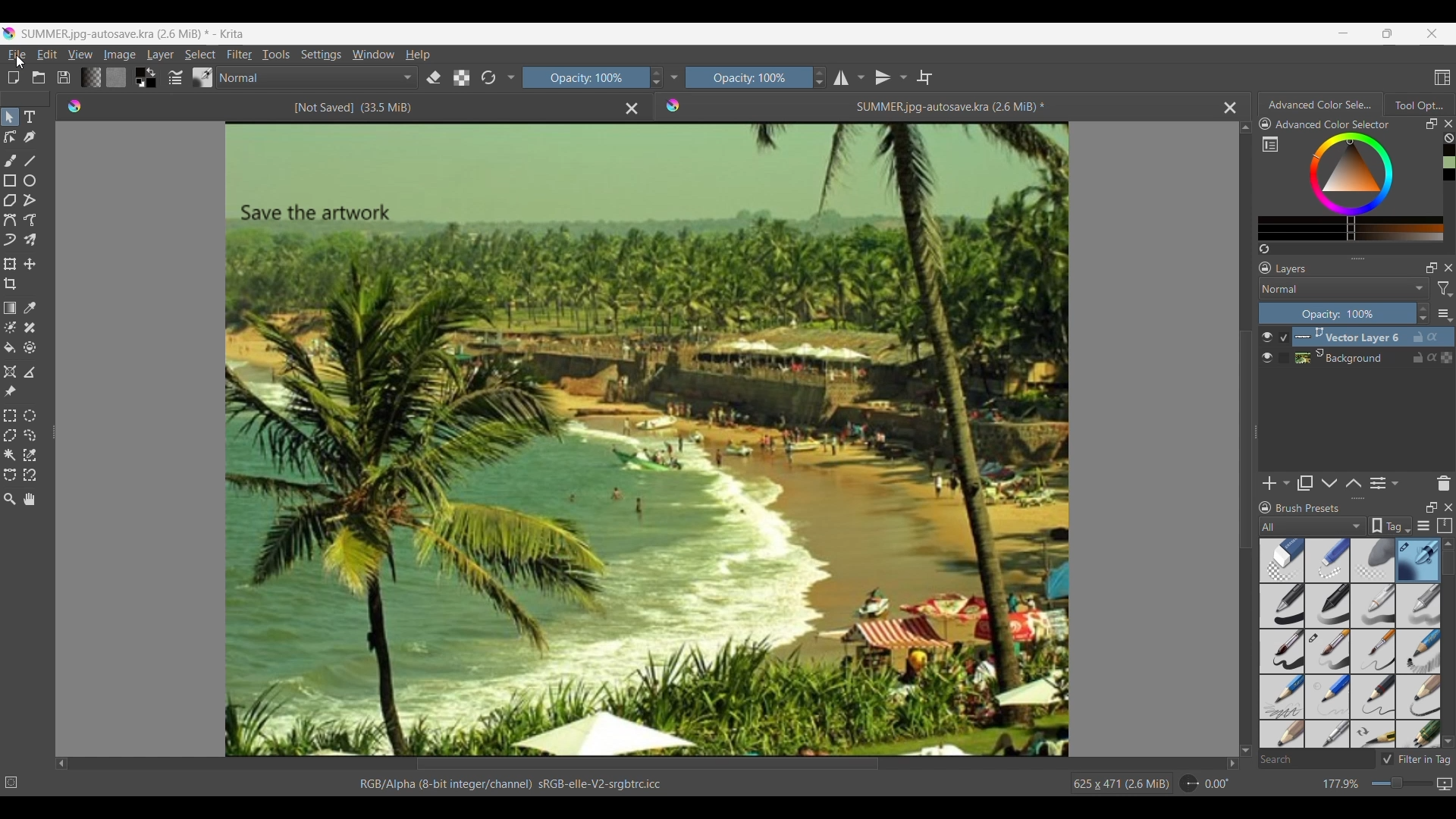 Image resolution: width=1456 pixels, height=819 pixels. Describe the element at coordinates (1291, 268) in the screenshot. I see `Title of current layer` at that location.